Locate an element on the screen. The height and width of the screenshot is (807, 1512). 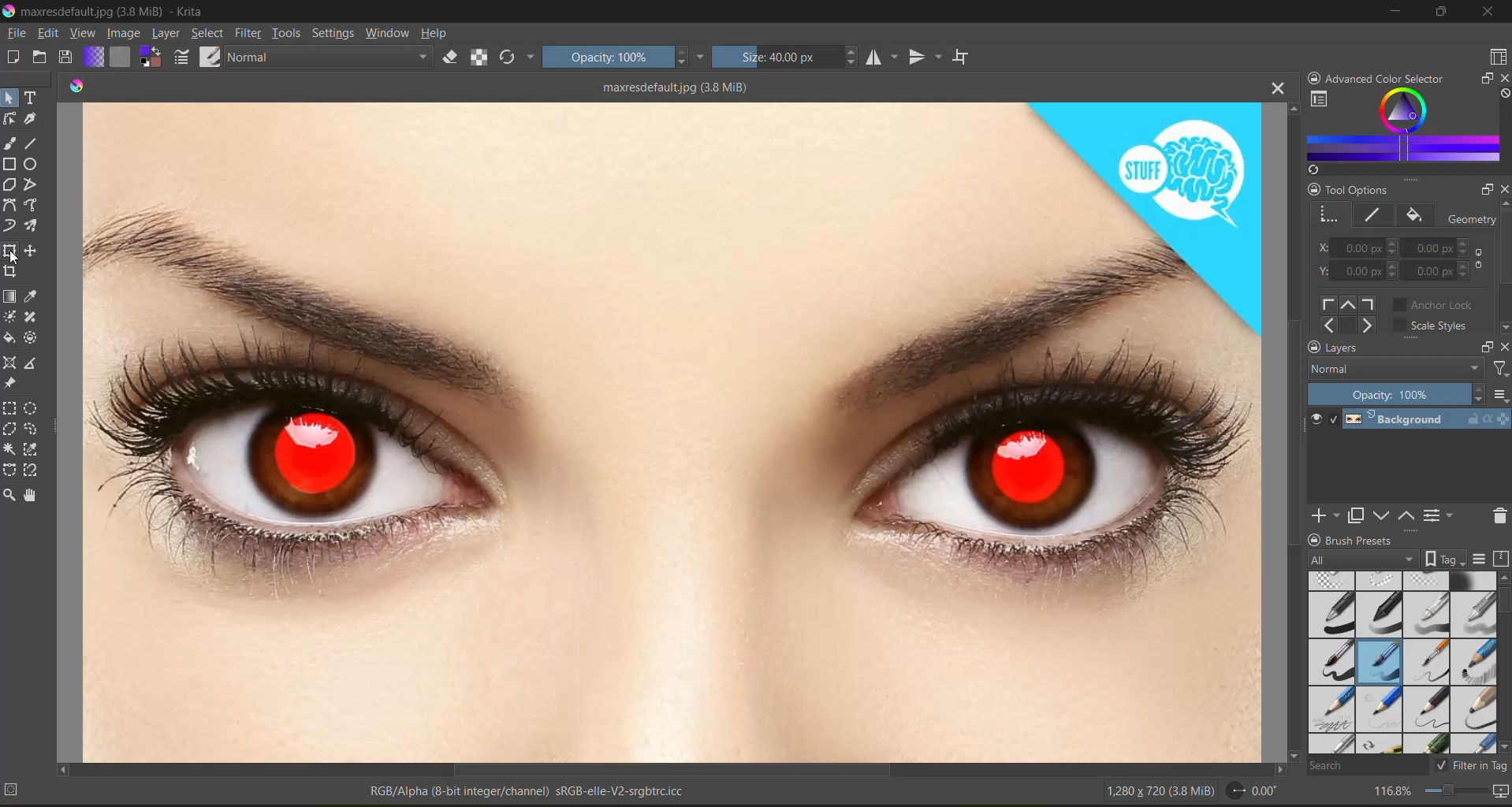
tool is located at coordinates (32, 471).